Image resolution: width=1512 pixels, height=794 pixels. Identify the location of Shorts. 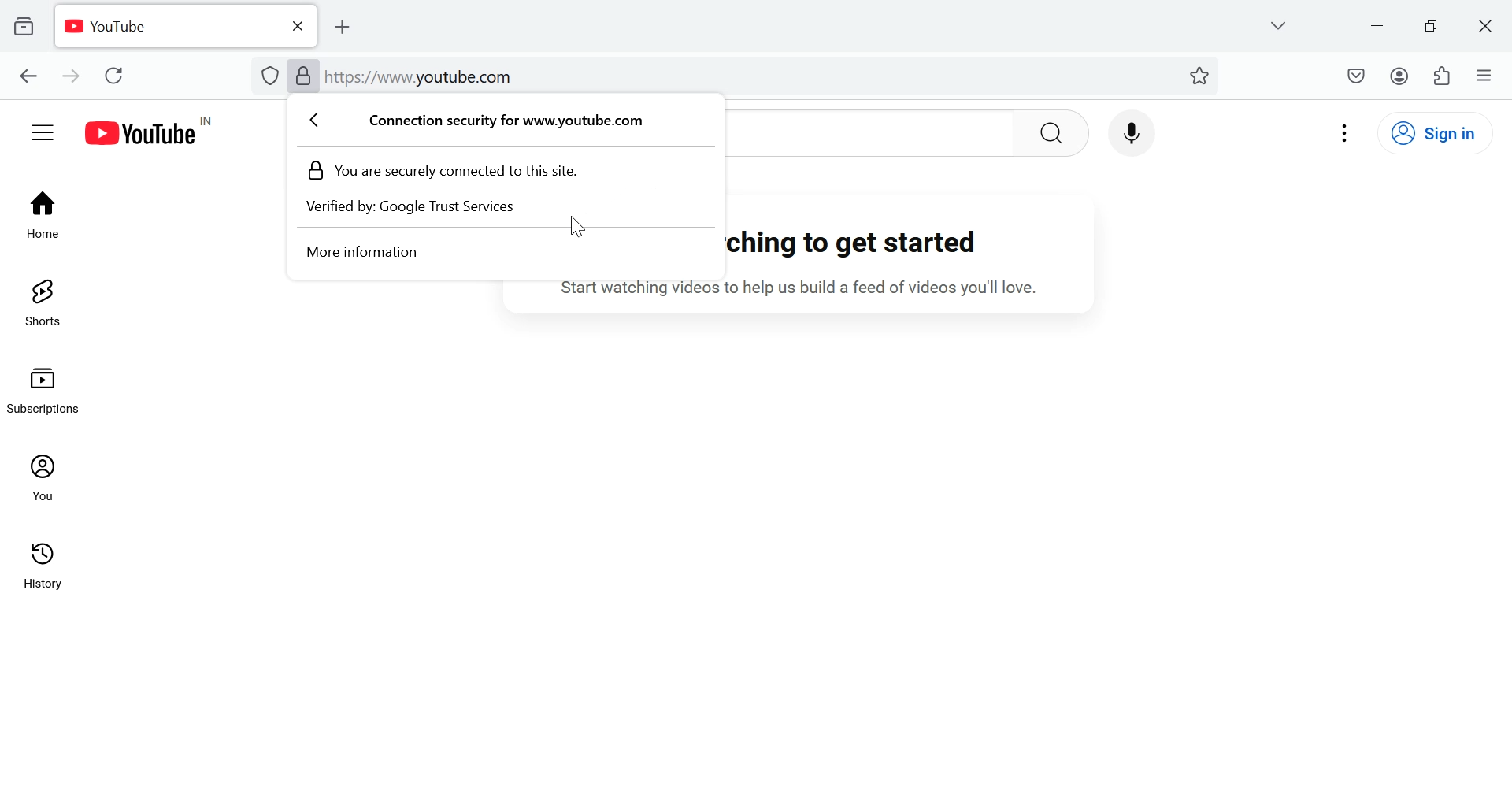
(41, 302).